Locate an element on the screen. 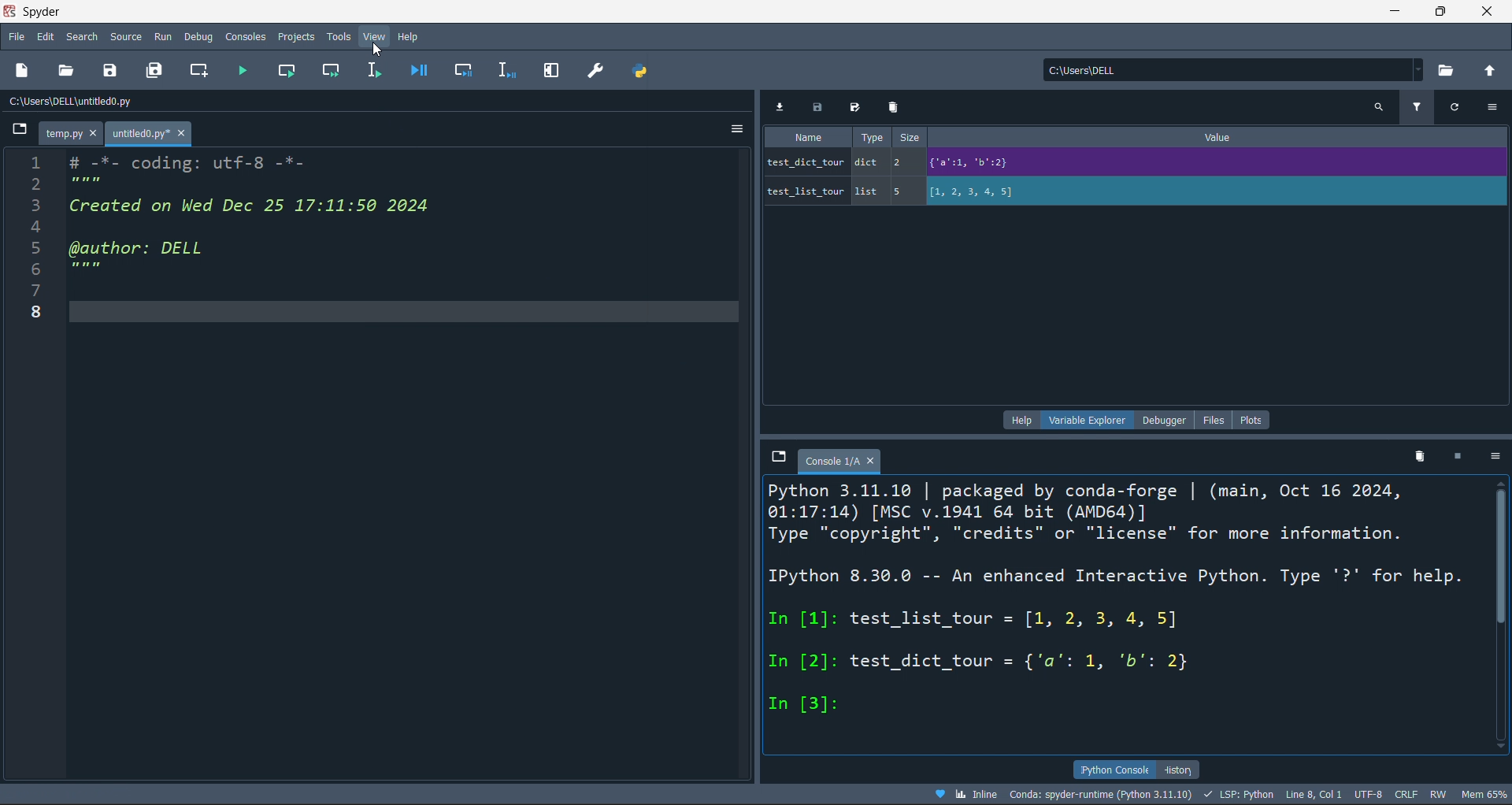  run is located at coordinates (161, 37).